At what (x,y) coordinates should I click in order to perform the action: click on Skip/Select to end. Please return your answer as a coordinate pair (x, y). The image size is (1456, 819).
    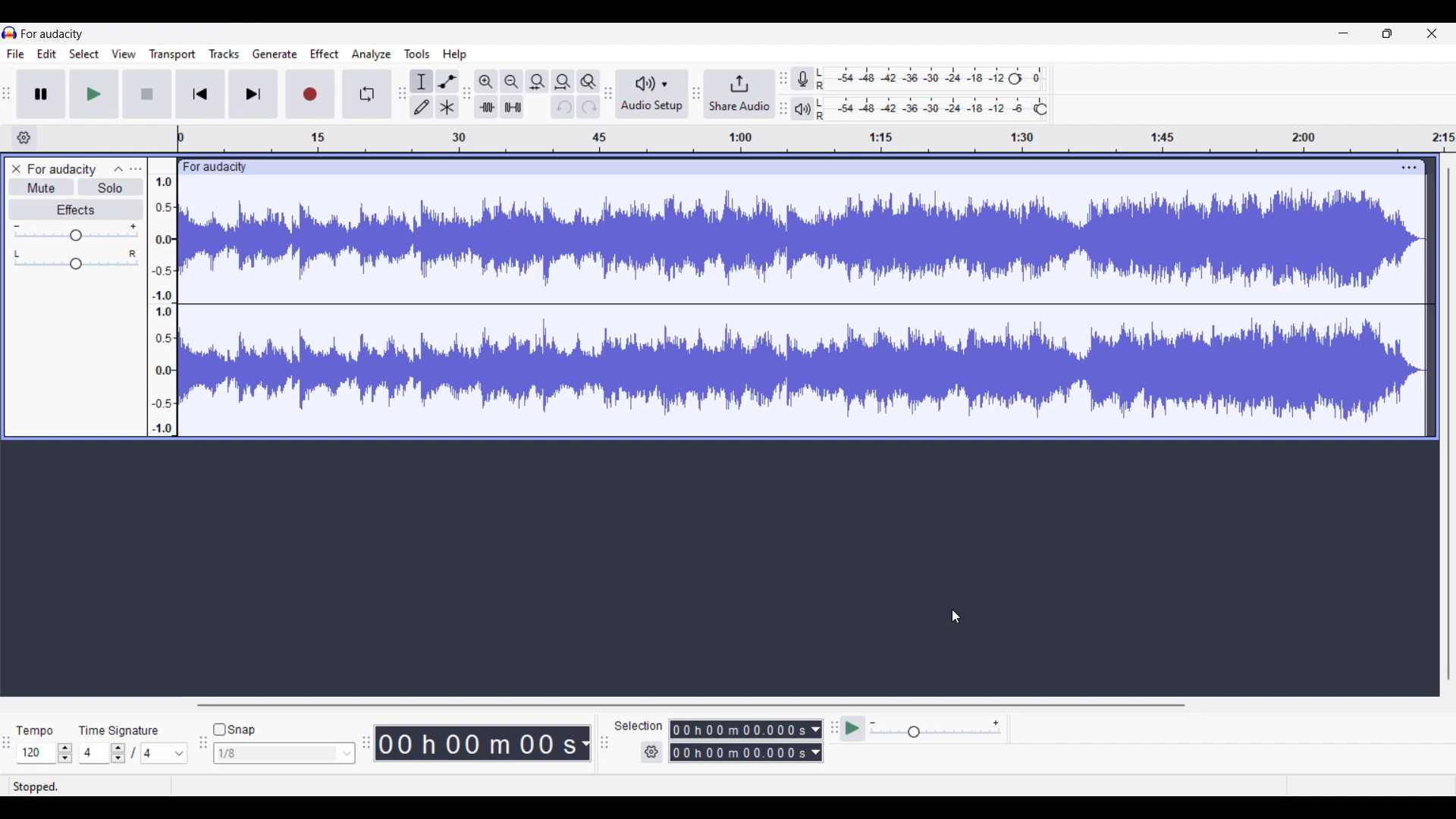
    Looking at the image, I should click on (253, 94).